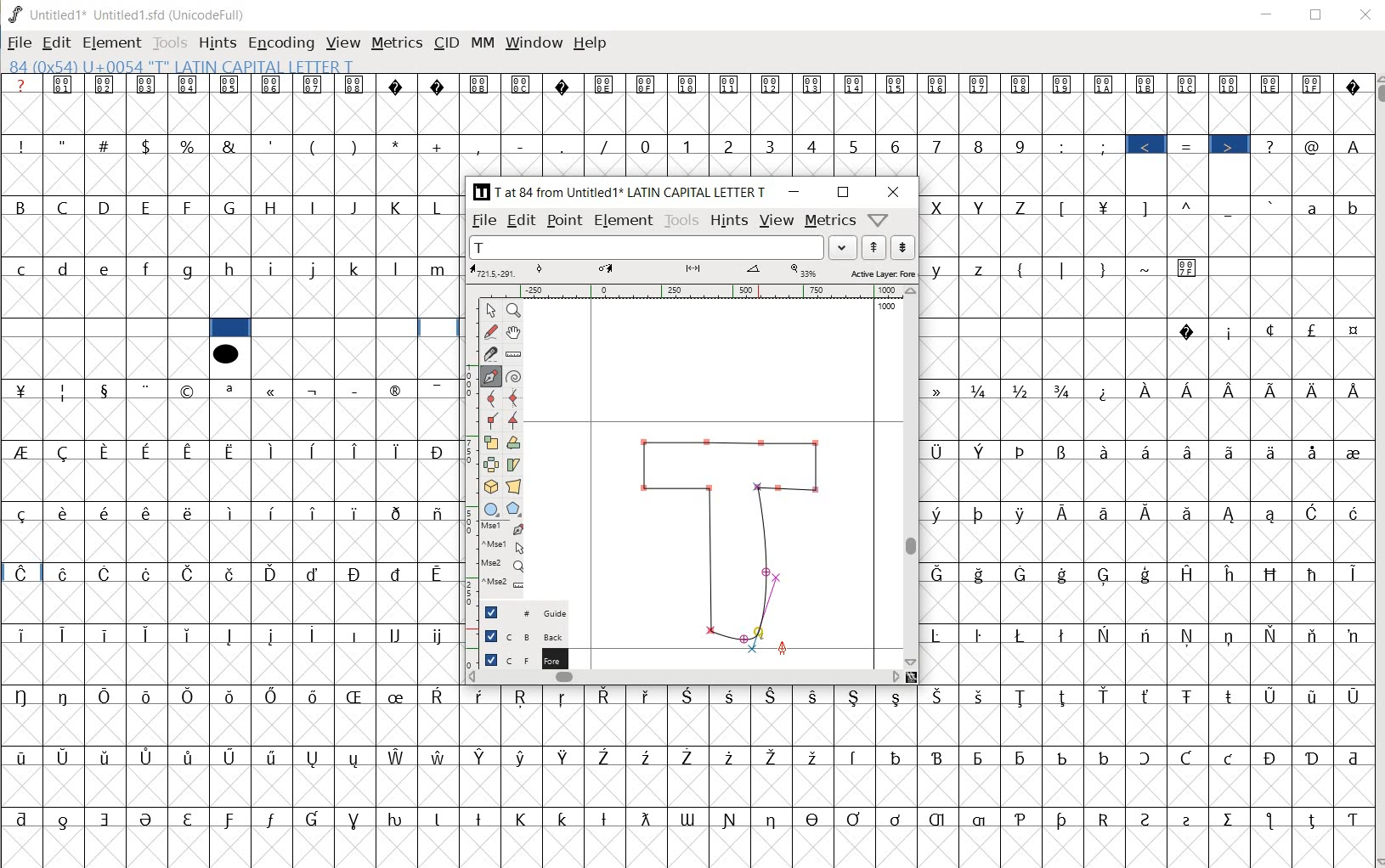 The height and width of the screenshot is (868, 1385). I want to click on file, so click(20, 44).